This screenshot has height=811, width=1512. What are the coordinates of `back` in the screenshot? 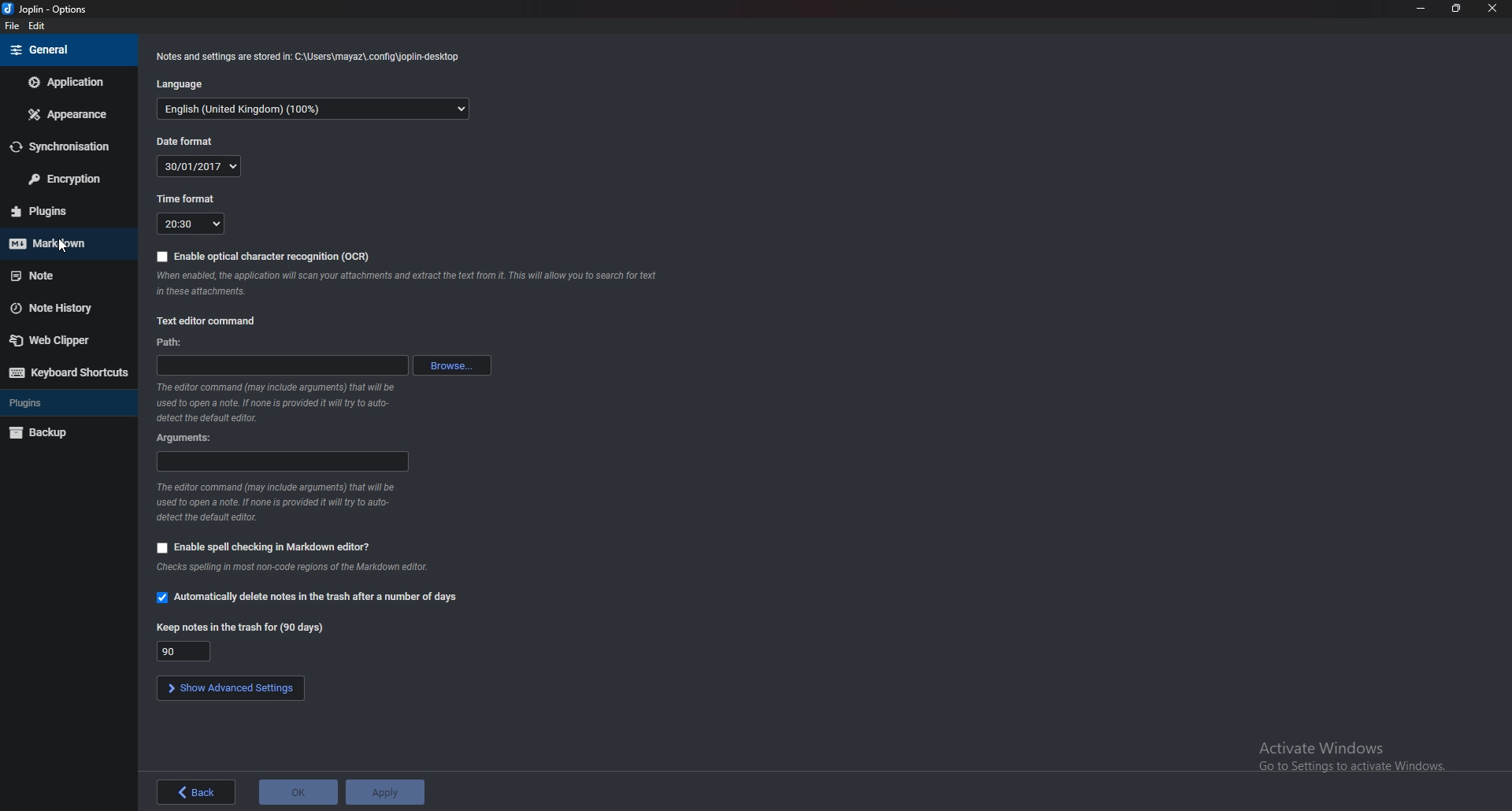 It's located at (195, 790).